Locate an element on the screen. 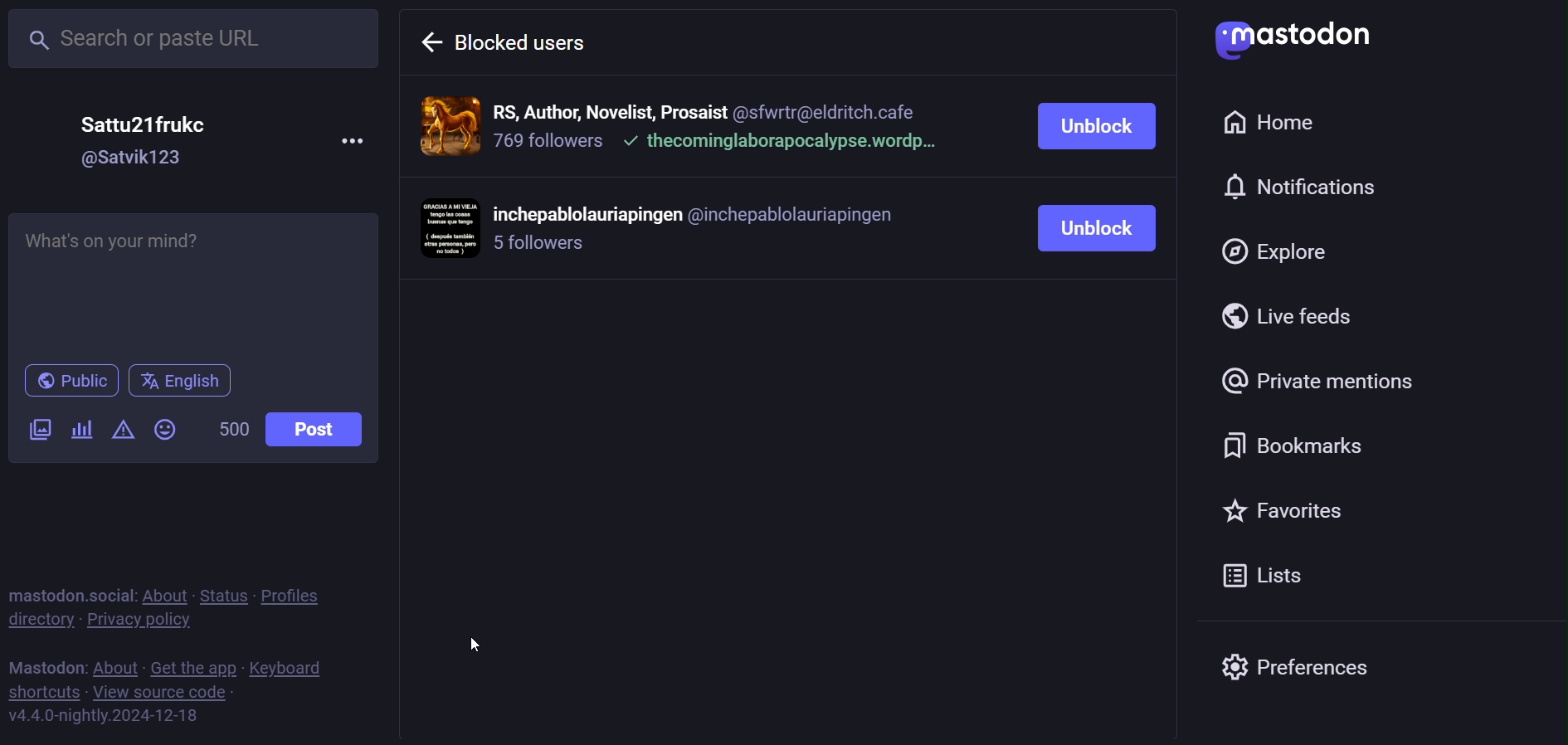 The image size is (1568, 745). content warning is located at coordinates (123, 428).